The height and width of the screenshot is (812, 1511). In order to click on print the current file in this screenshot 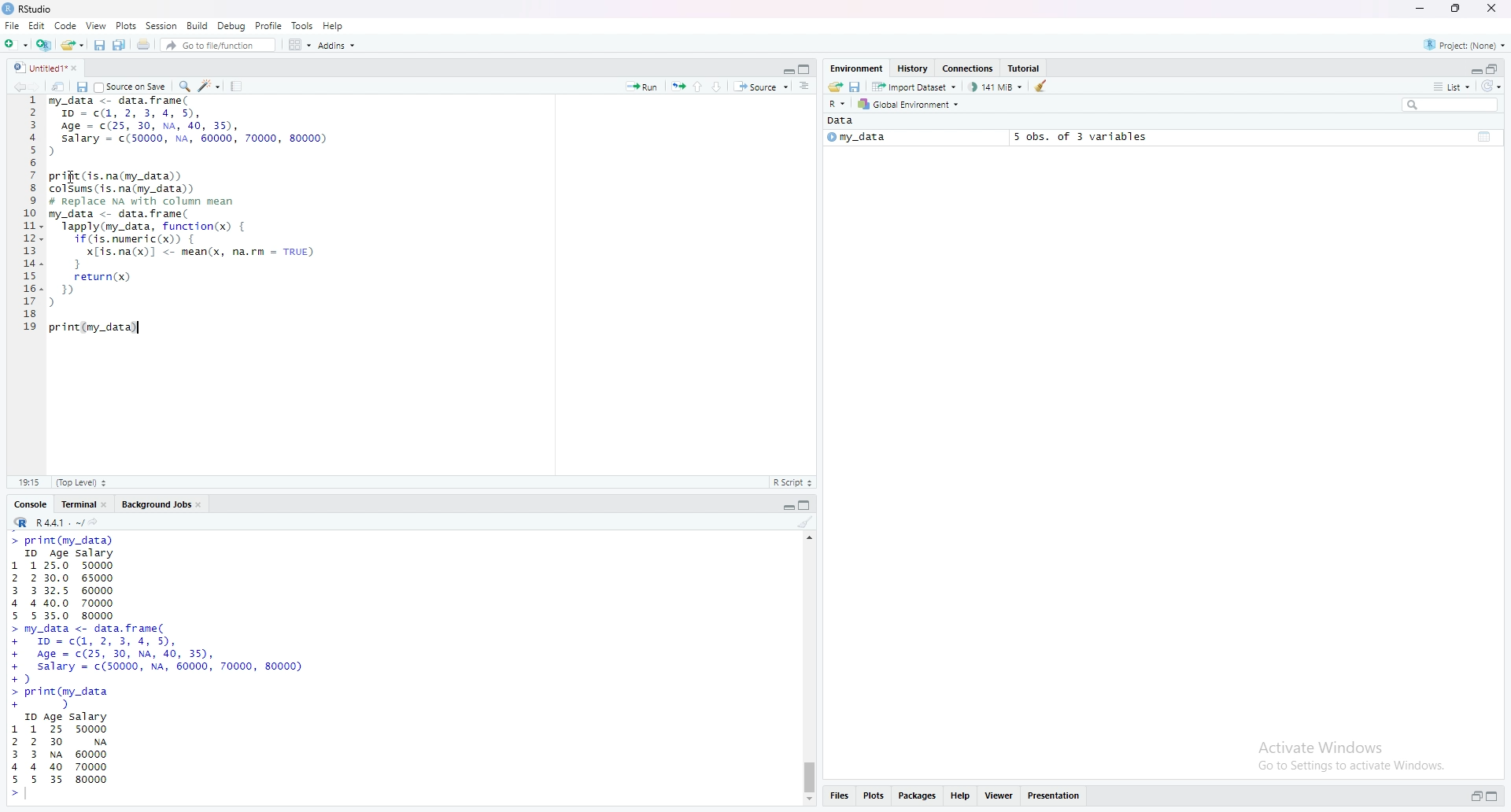, I will do `click(144, 45)`.